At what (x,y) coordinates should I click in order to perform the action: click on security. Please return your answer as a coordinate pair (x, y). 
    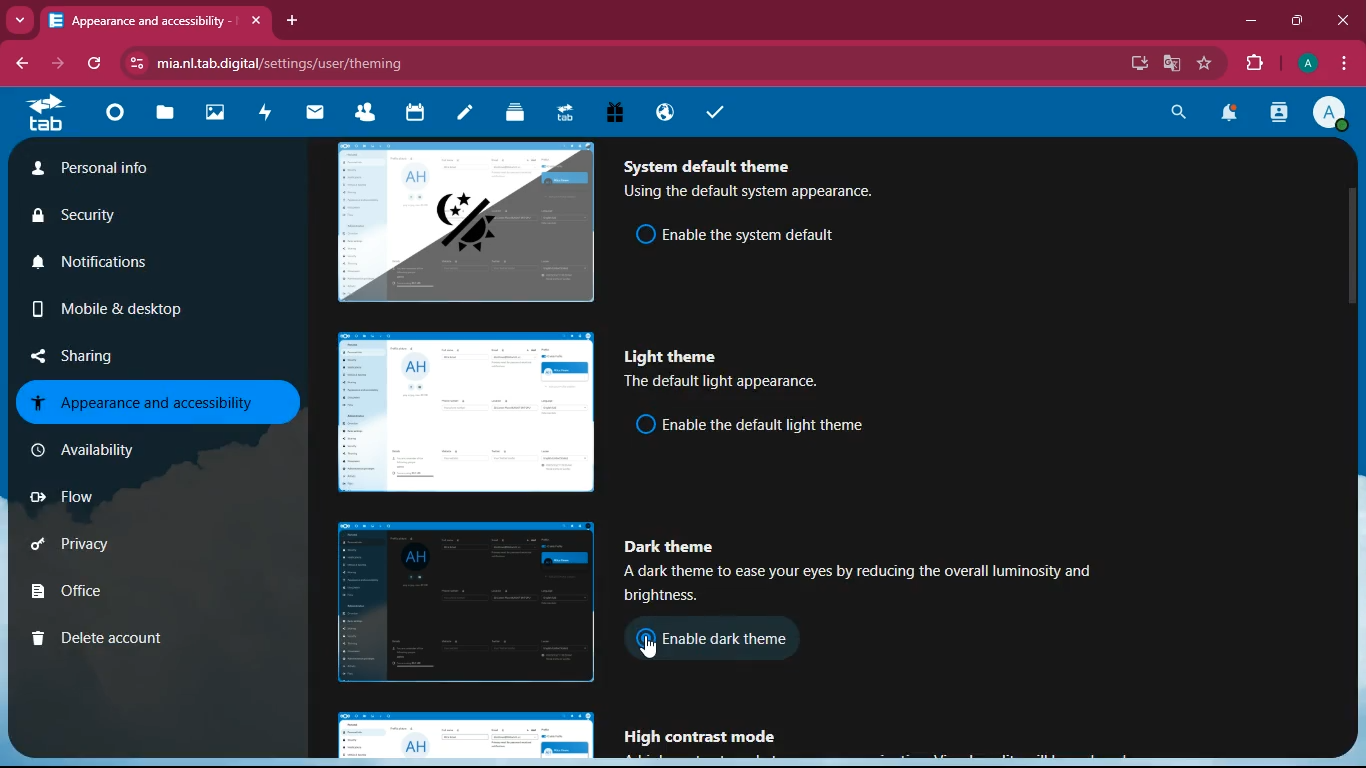
    Looking at the image, I should click on (109, 219).